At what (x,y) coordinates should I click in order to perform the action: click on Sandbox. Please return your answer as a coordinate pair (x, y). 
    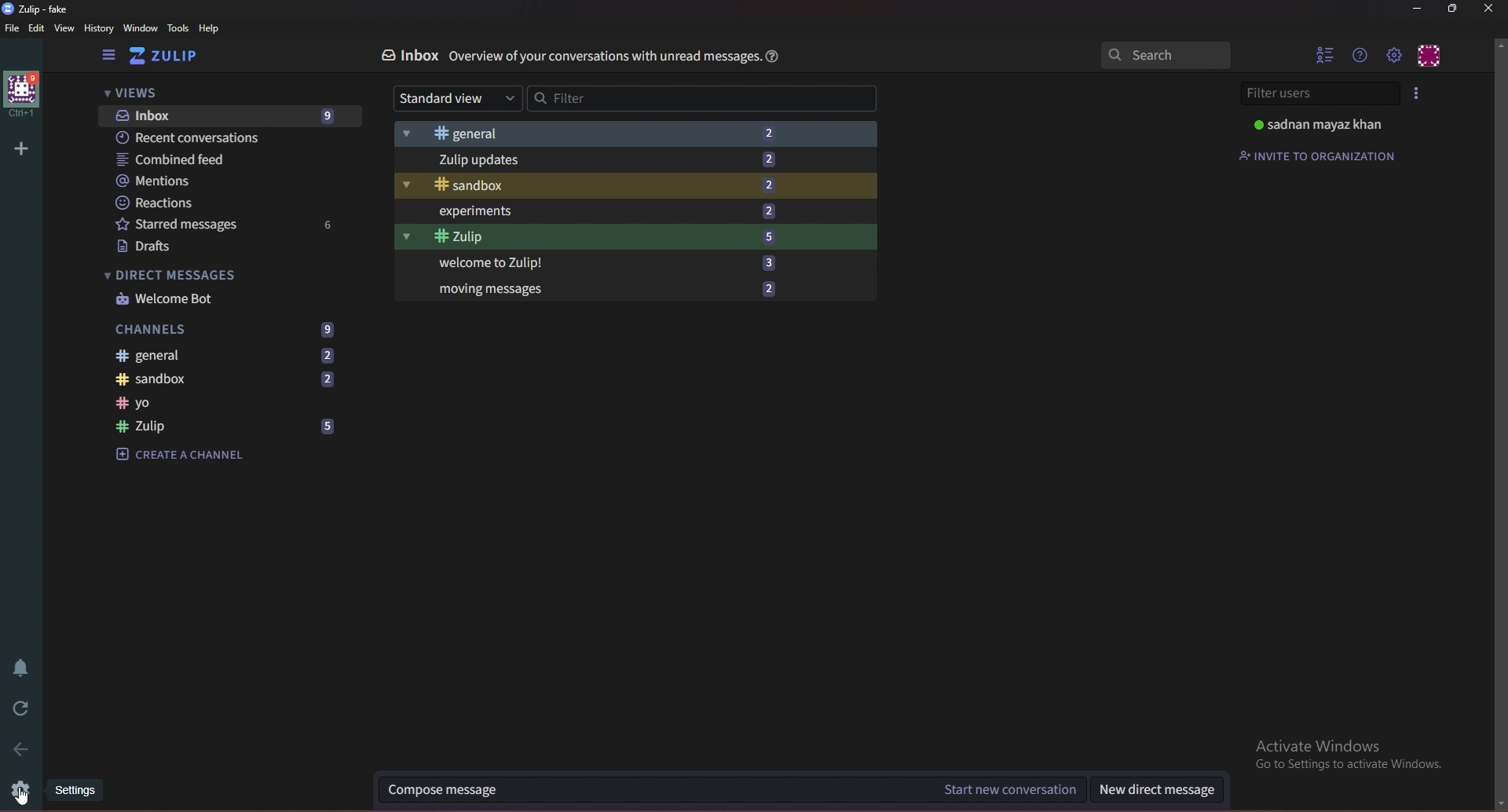
    Looking at the image, I should click on (637, 185).